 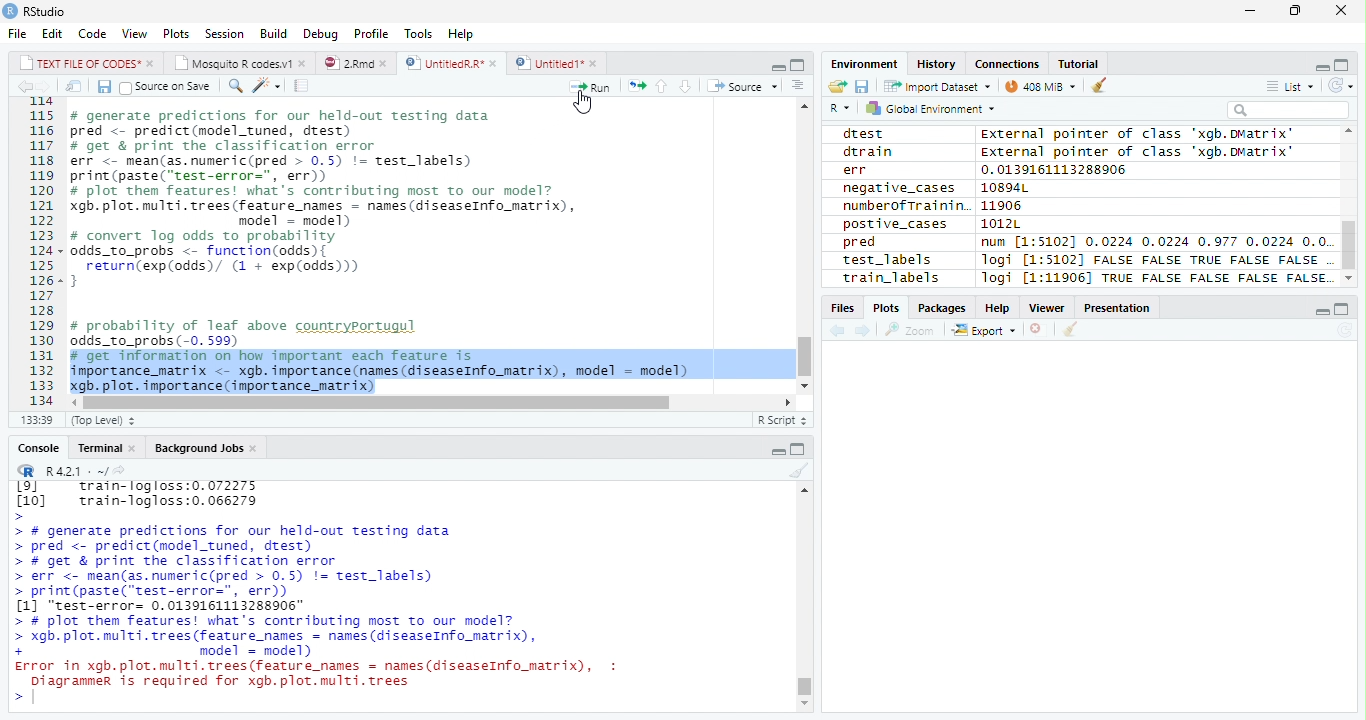 What do you see at coordinates (783, 418) in the screenshot?
I see `R Script` at bounding box center [783, 418].